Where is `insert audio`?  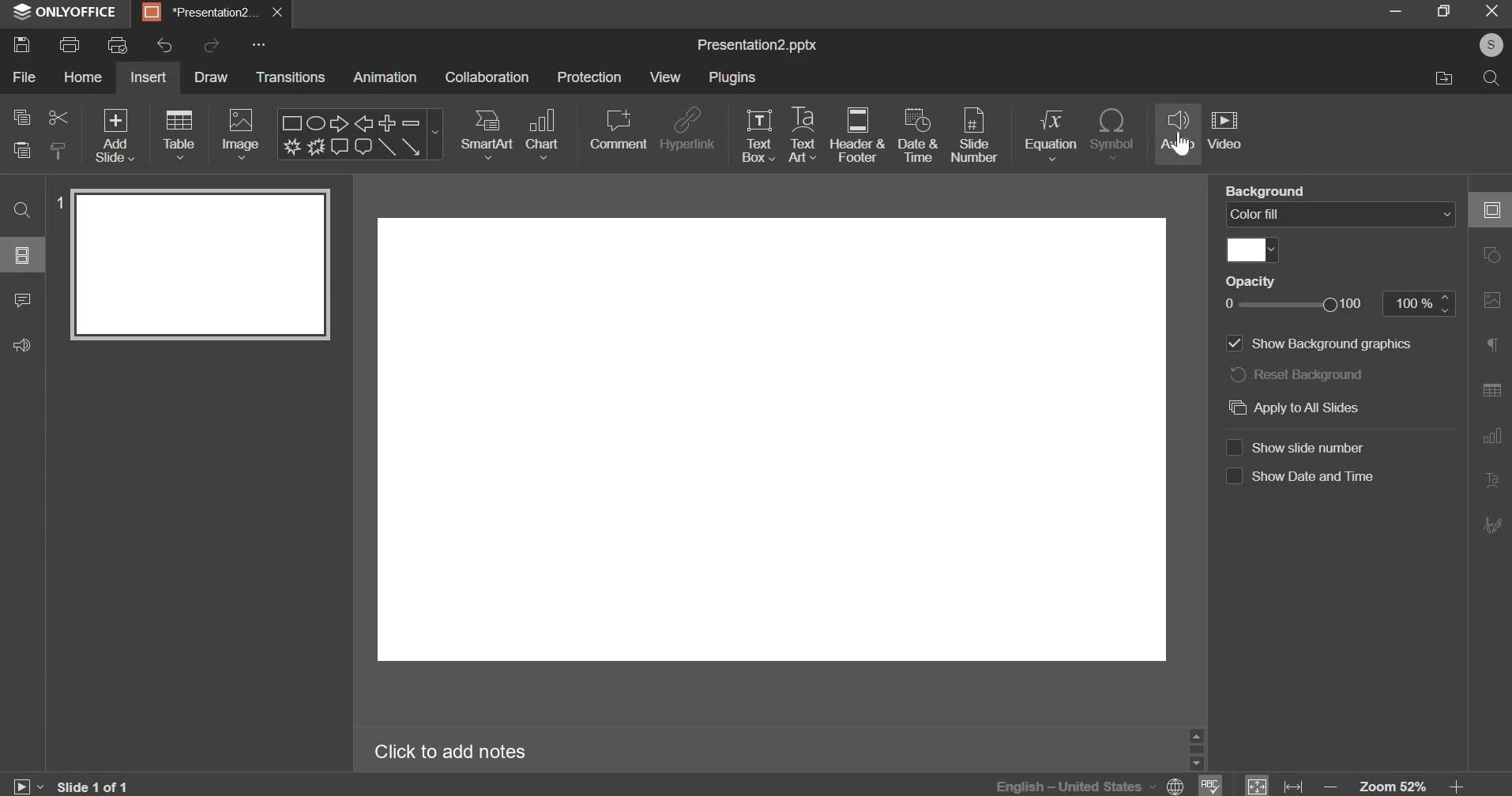 insert audio is located at coordinates (1179, 132).